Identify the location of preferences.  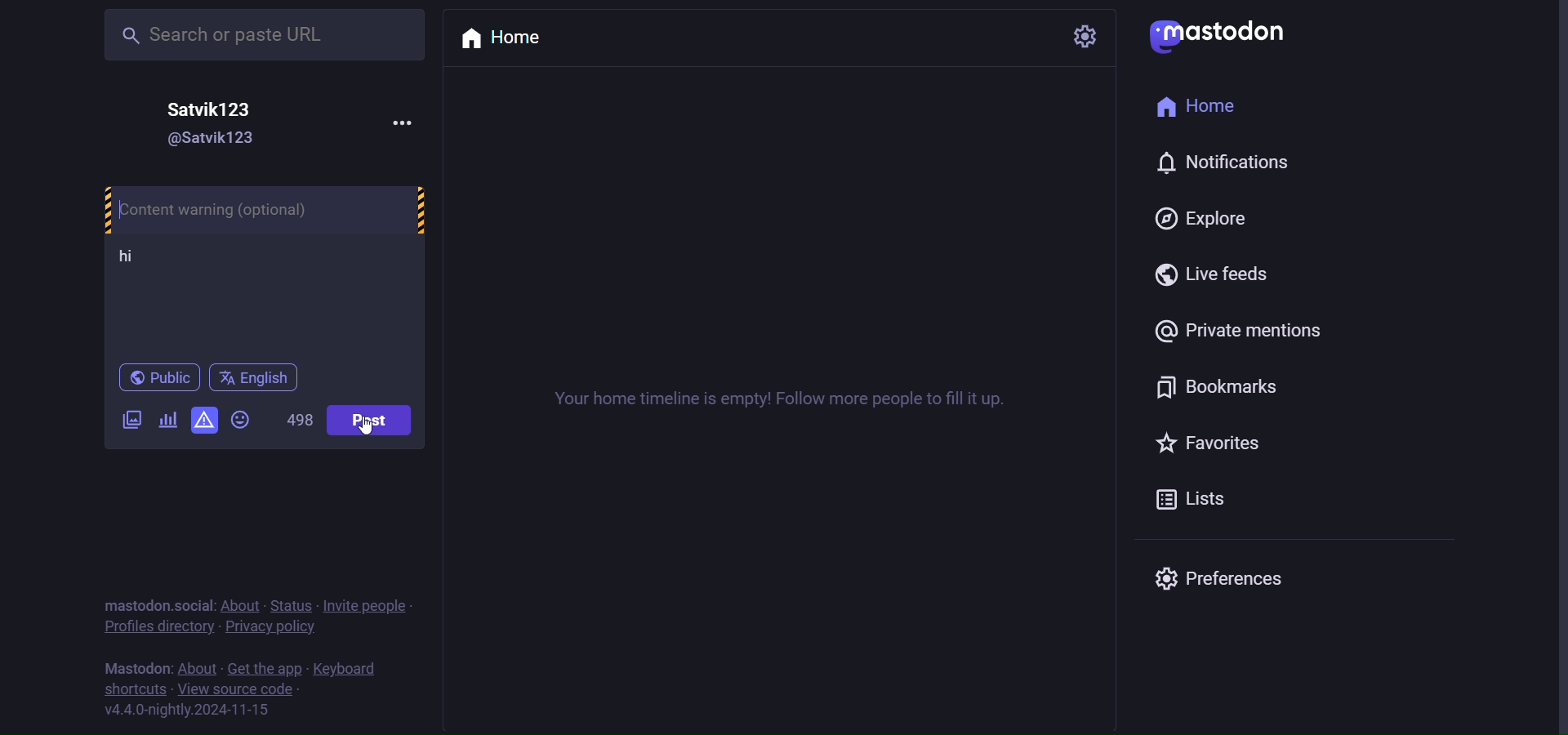
(1218, 576).